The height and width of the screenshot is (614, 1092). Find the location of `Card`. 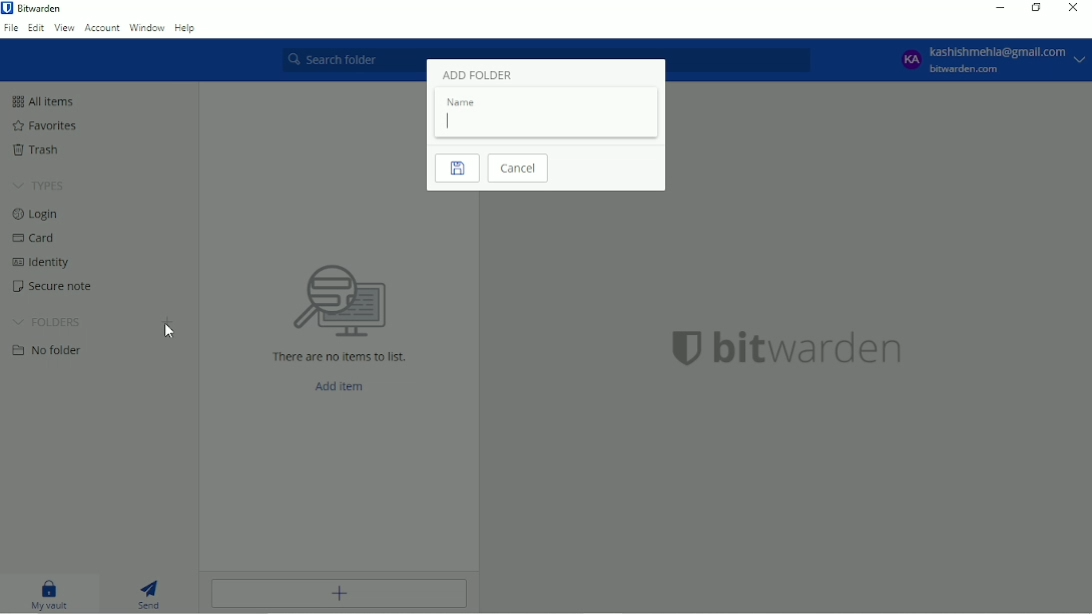

Card is located at coordinates (38, 239).